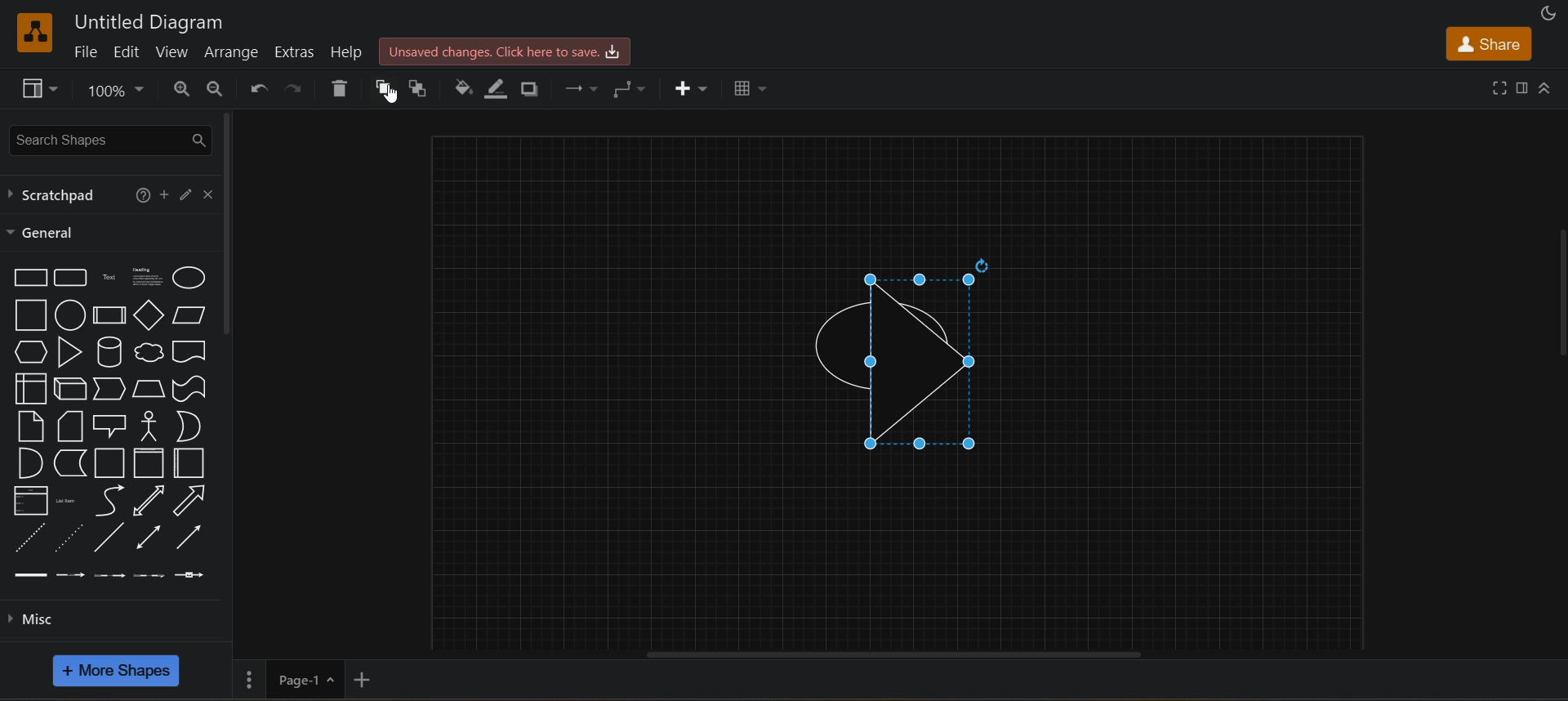 This screenshot has height=701, width=1568. Describe the element at coordinates (72, 426) in the screenshot. I see `card` at that location.